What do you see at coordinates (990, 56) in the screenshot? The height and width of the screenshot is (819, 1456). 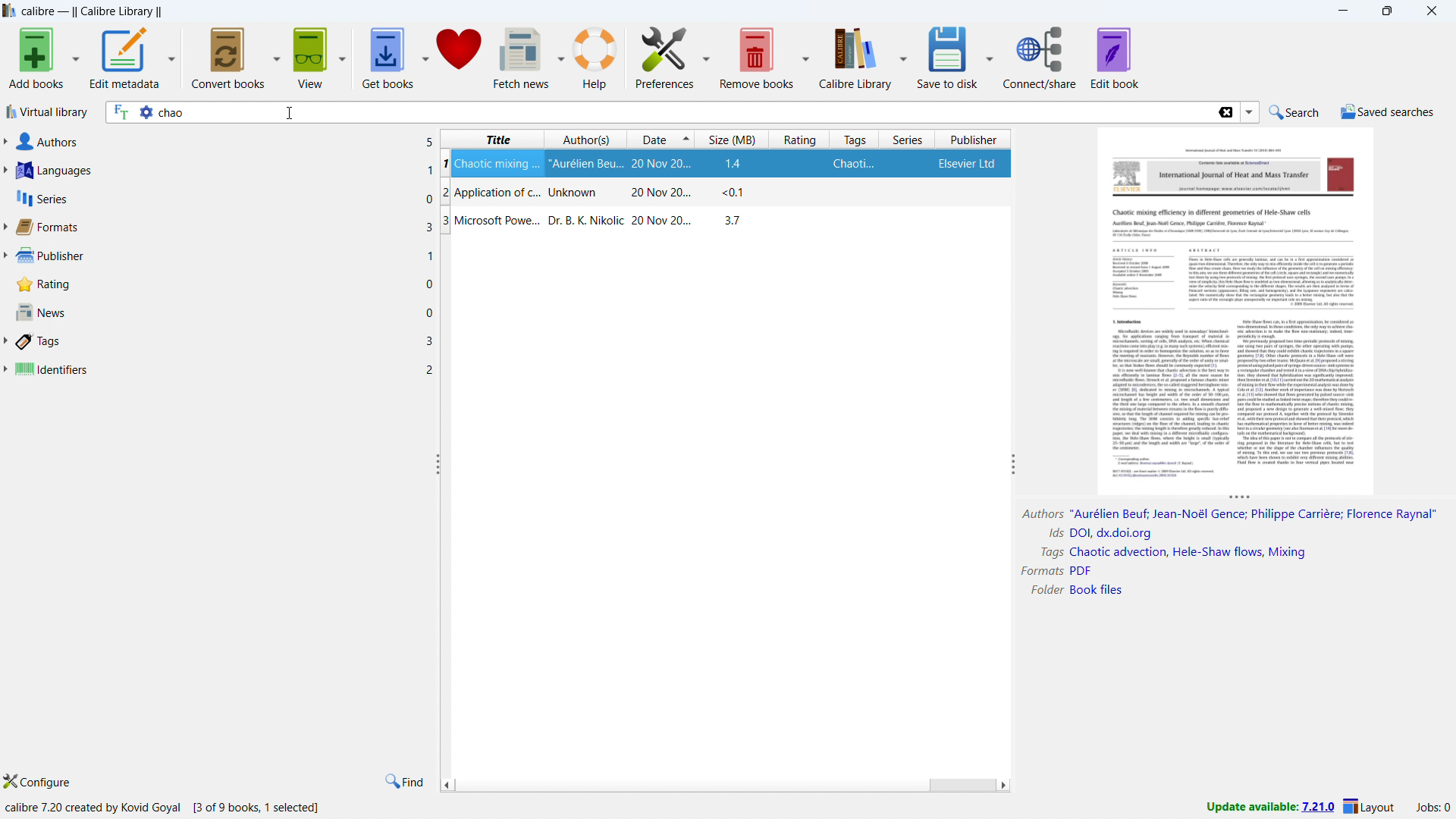 I see `save to disk options` at bounding box center [990, 56].